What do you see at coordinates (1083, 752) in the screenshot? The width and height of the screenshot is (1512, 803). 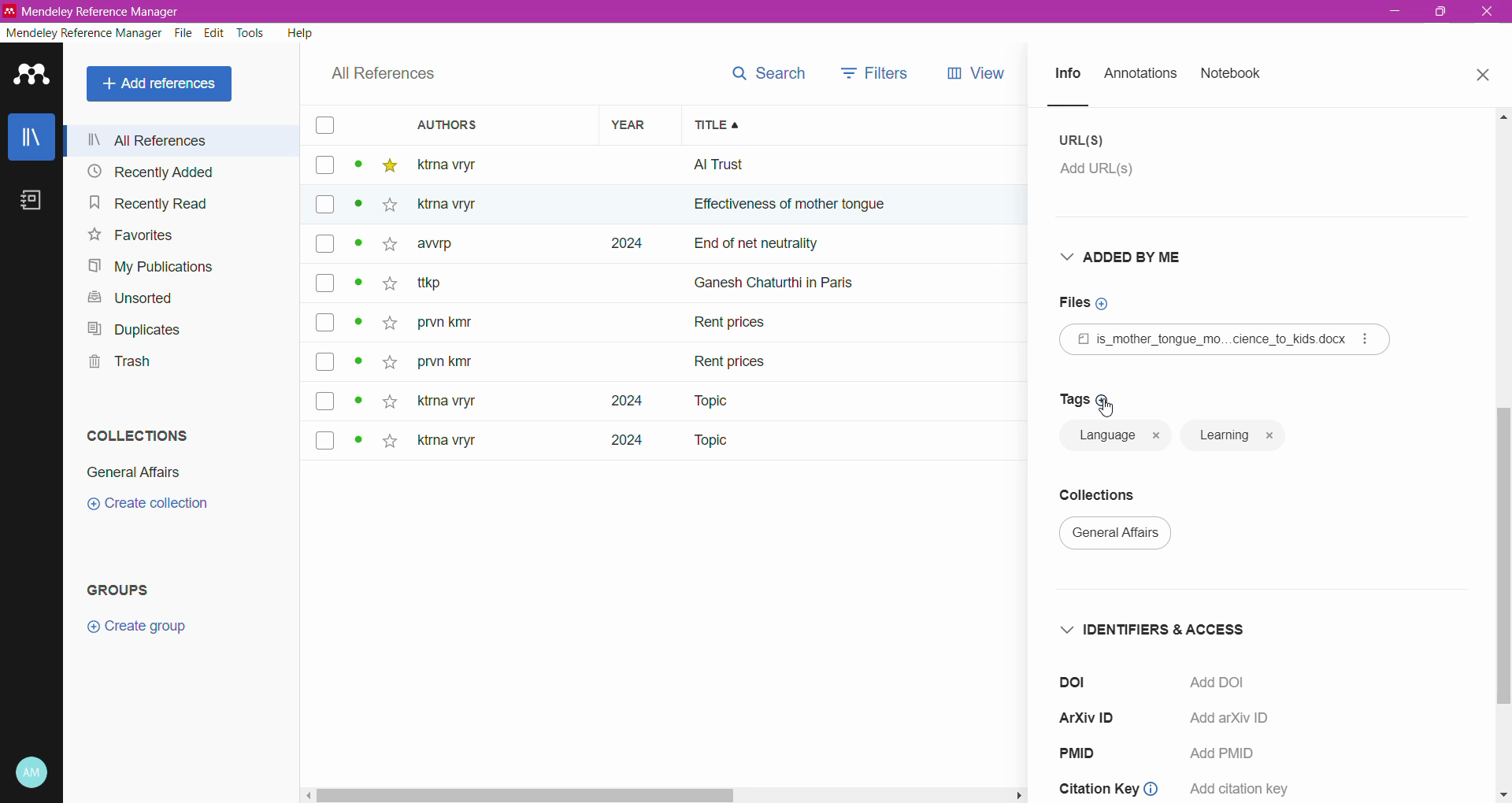 I see `PMID` at bounding box center [1083, 752].